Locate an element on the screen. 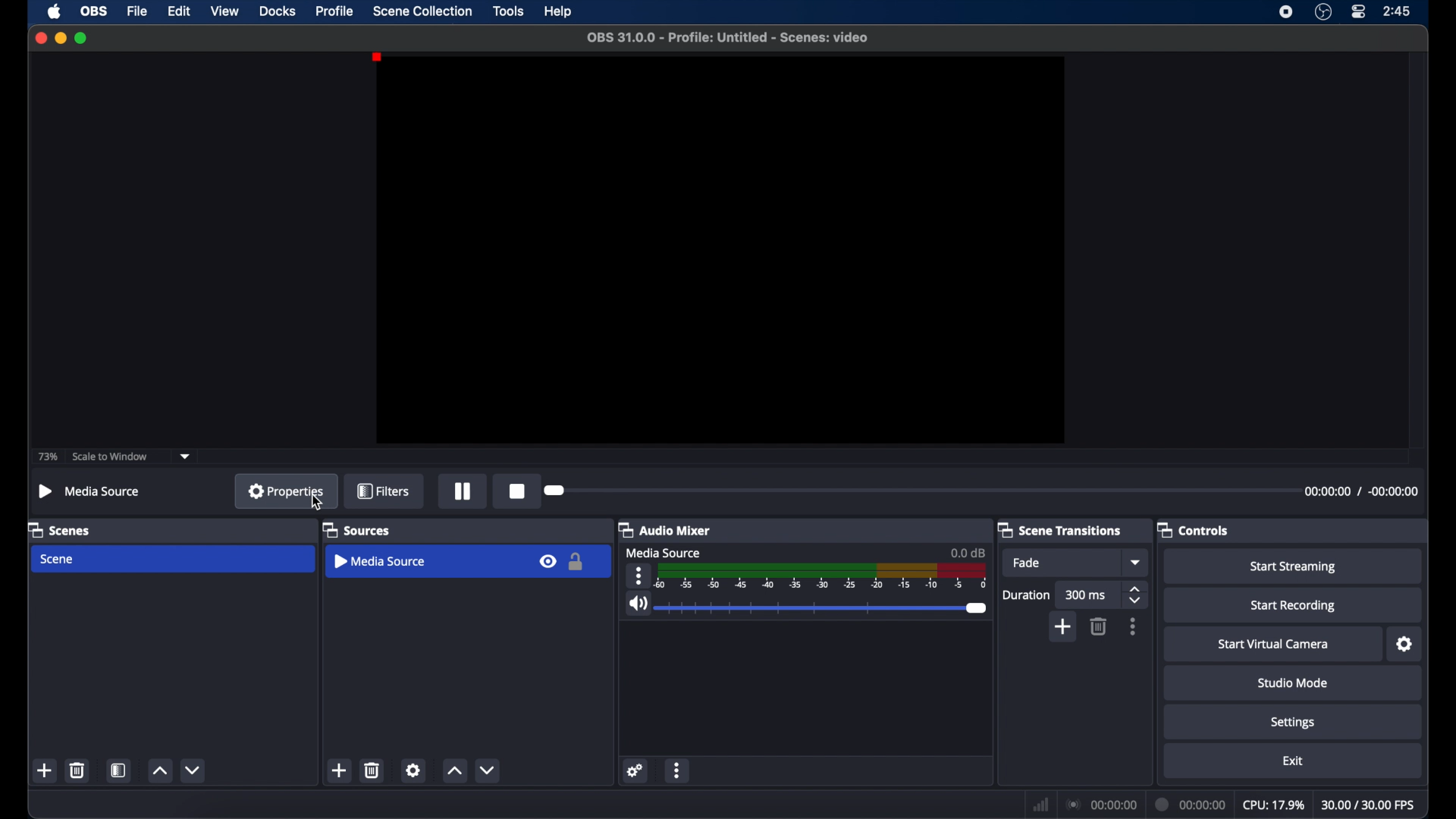 Image resolution: width=1456 pixels, height=819 pixels. delete is located at coordinates (78, 770).